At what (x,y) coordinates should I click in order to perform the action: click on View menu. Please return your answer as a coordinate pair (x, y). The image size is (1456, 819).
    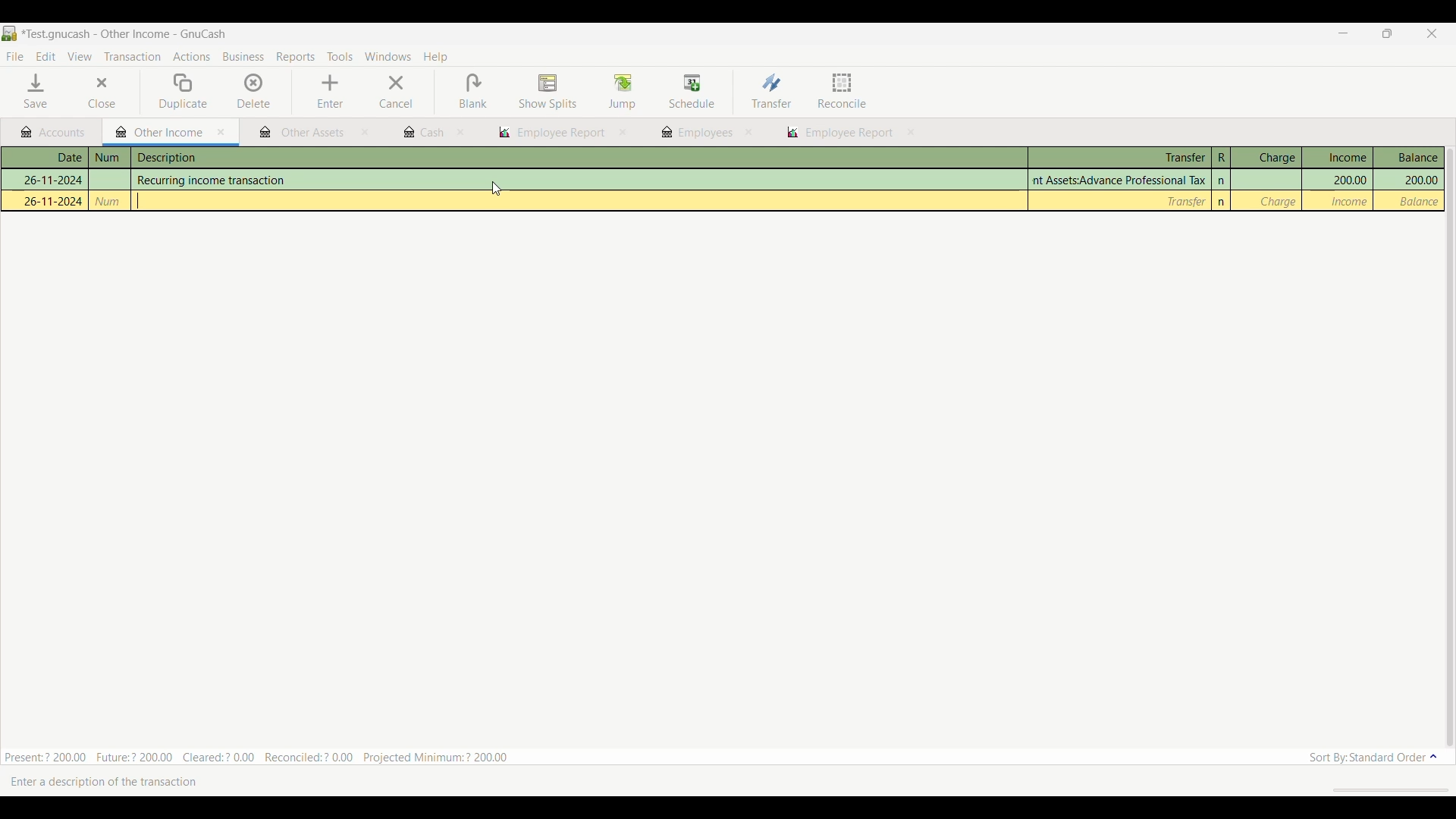
    Looking at the image, I should click on (79, 57).